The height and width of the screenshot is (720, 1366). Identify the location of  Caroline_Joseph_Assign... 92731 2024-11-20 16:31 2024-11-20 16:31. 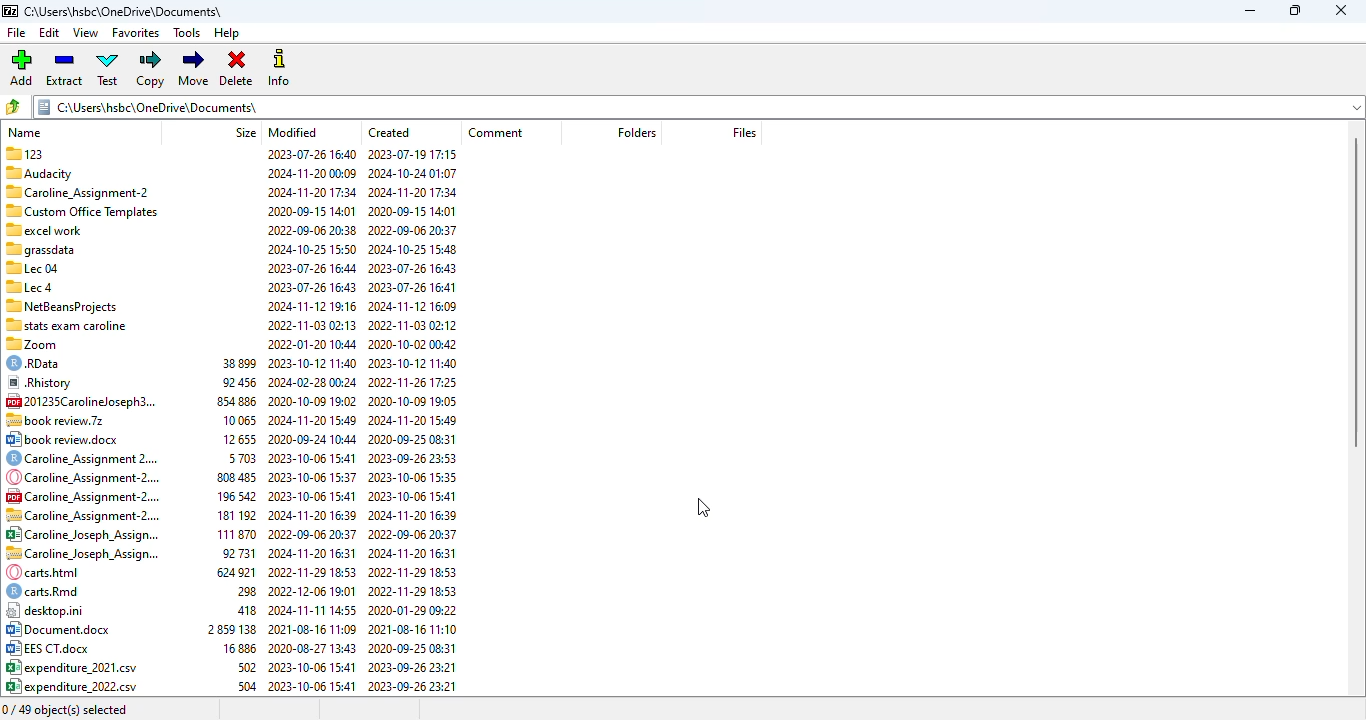
(230, 535).